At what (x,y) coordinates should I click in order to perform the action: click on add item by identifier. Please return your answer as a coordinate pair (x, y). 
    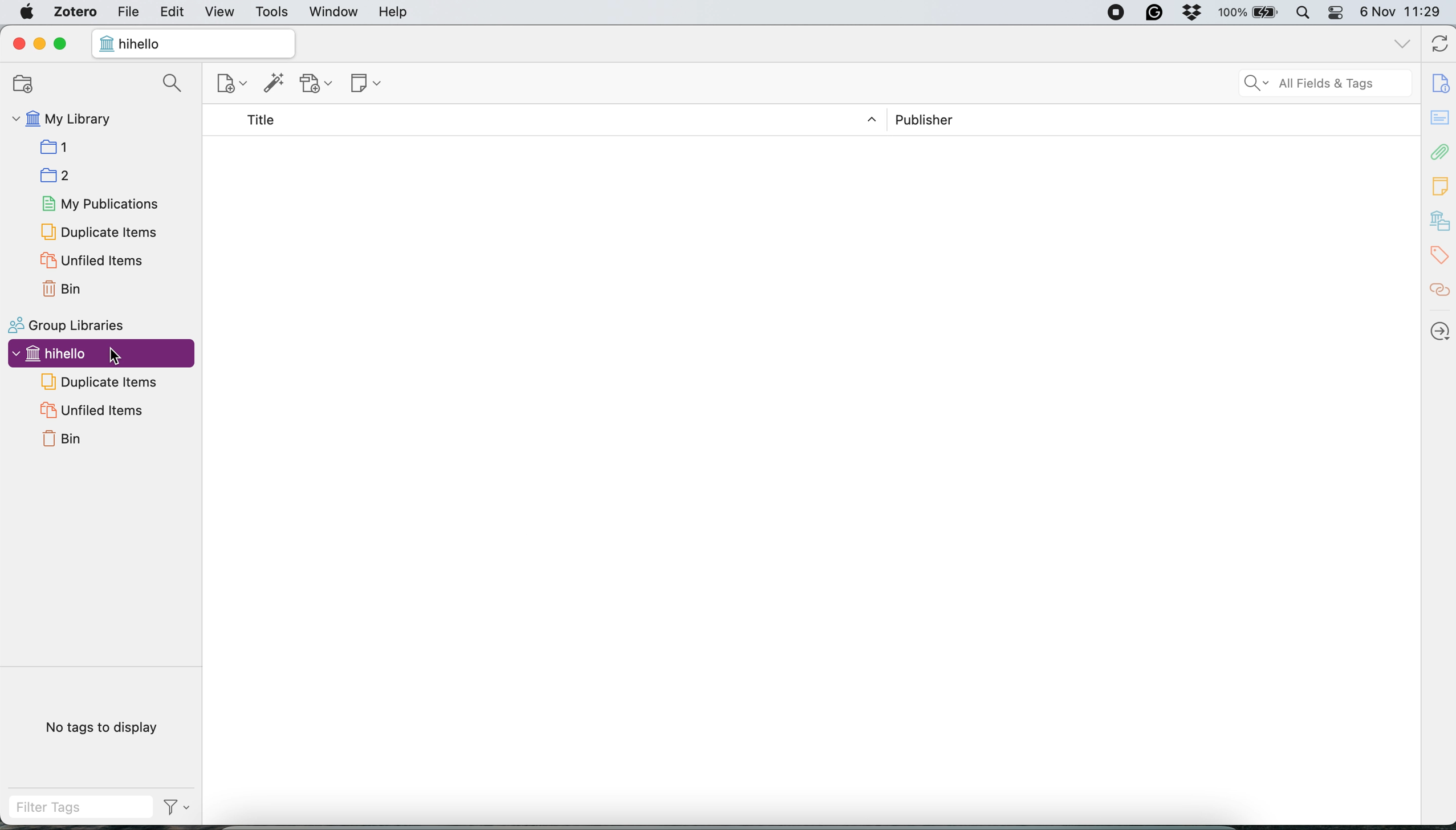
    Looking at the image, I should click on (277, 82).